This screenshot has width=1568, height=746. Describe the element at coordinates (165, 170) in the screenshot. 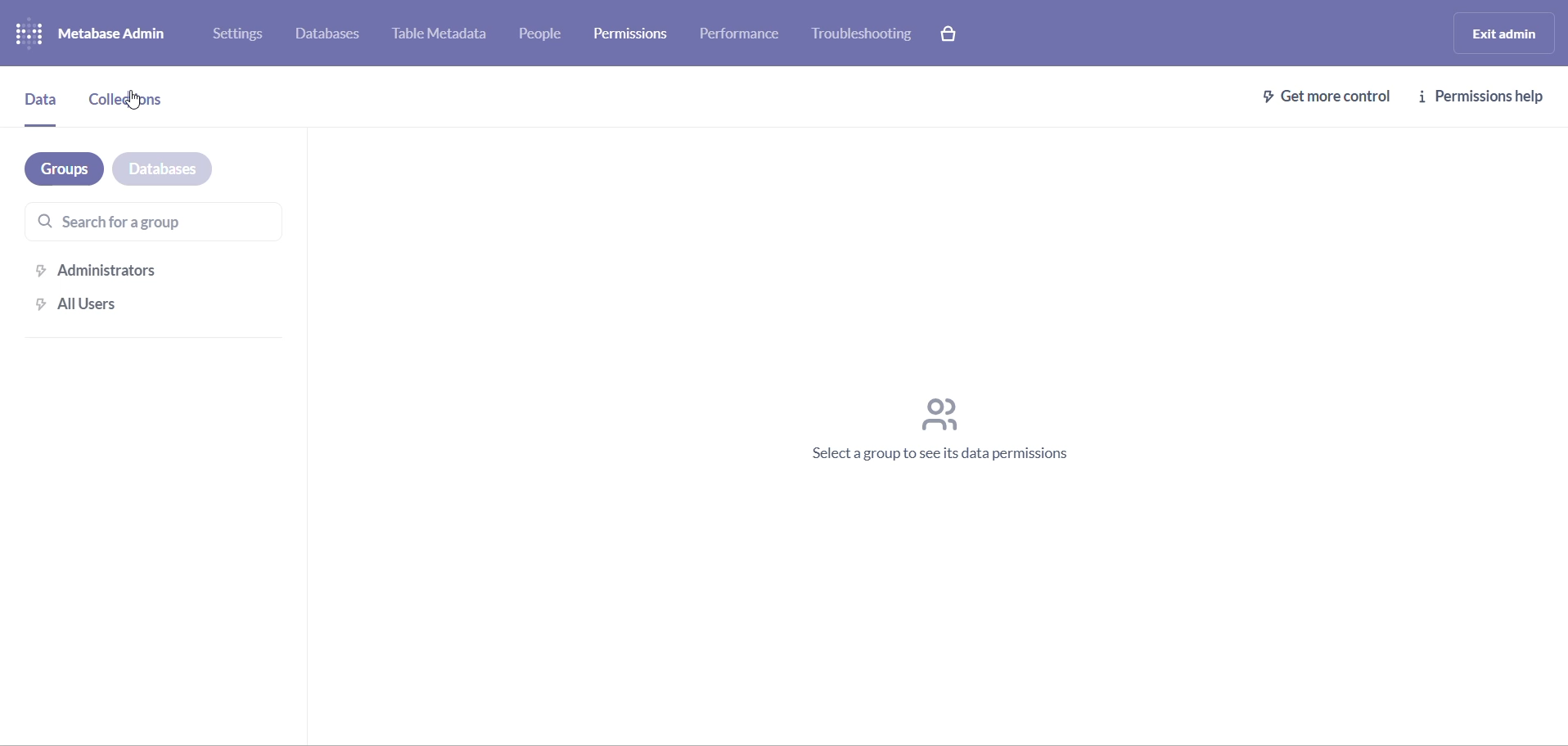

I see `databases` at that location.